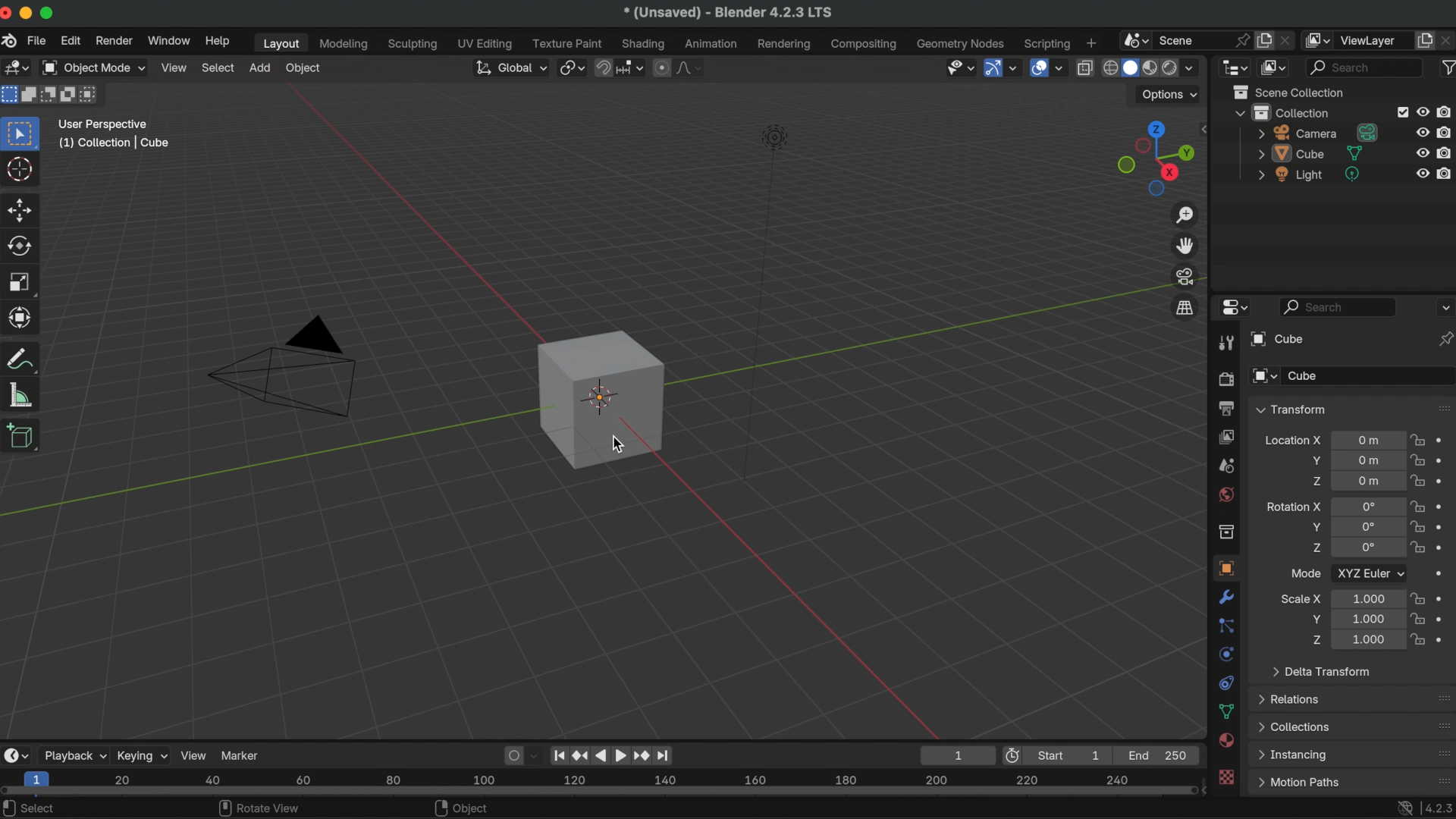 This screenshot has width=1456, height=819. I want to click on add view layer, so click(1425, 39).